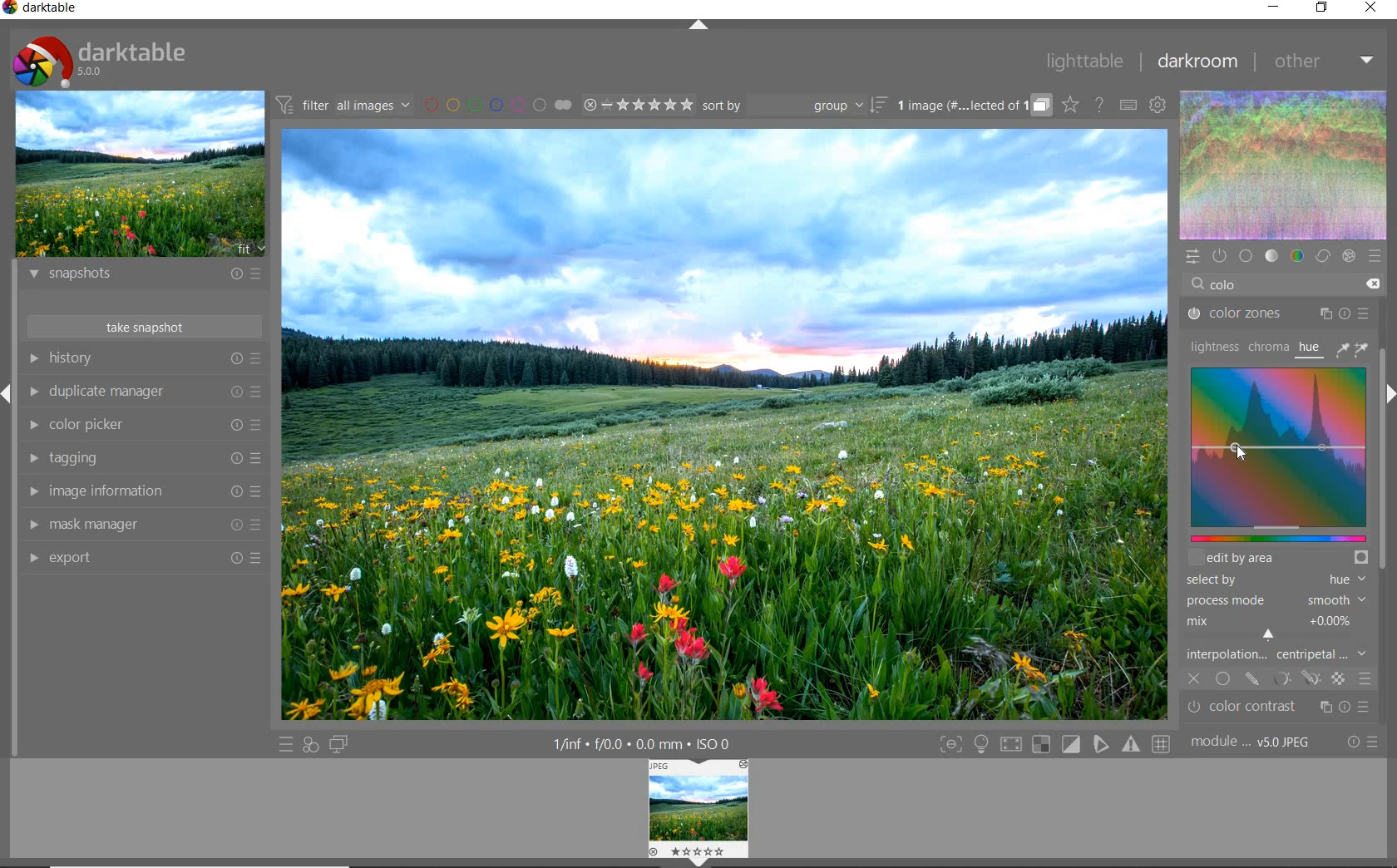 The image size is (1397, 868). I want to click on export, so click(142, 557).